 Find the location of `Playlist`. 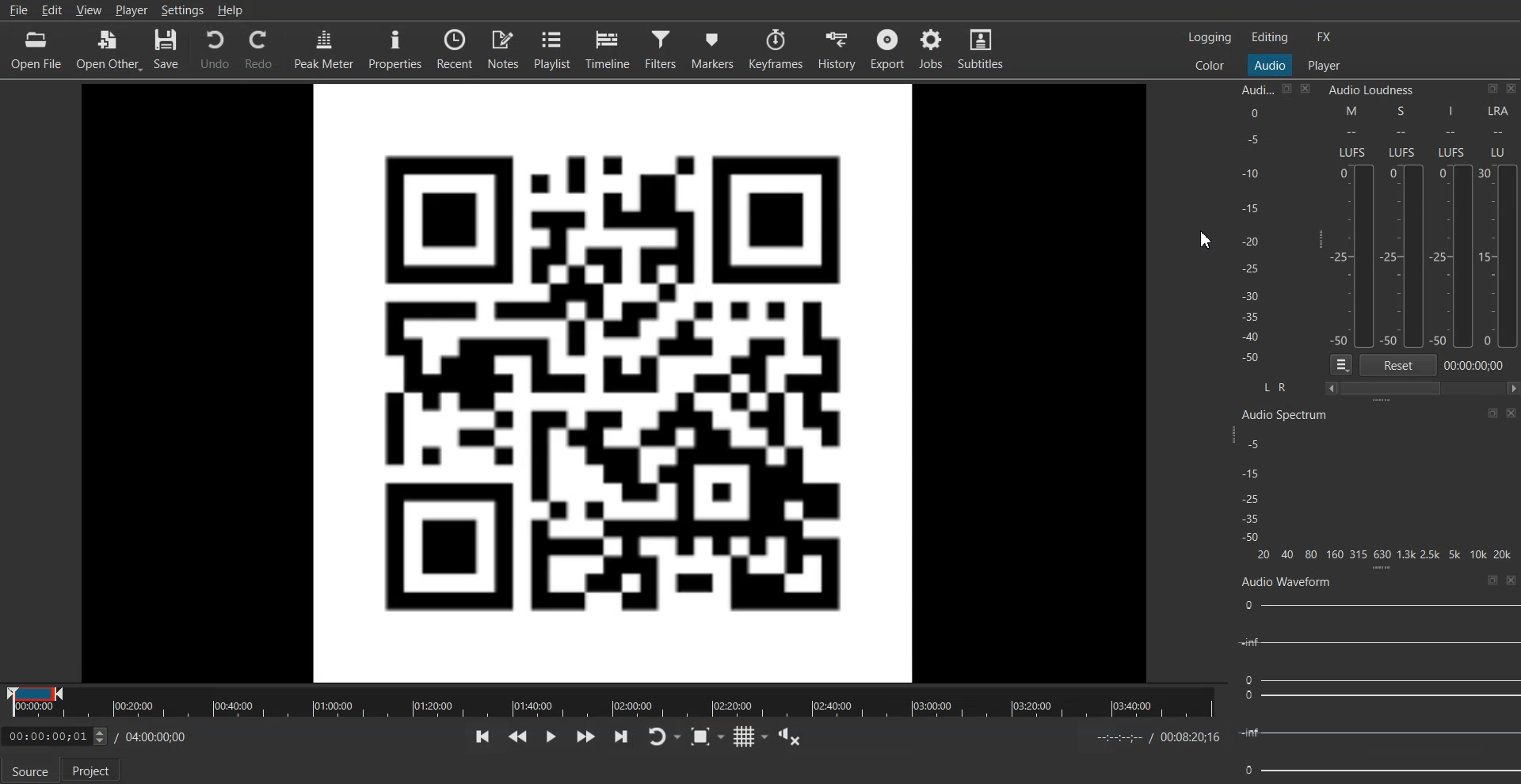

Playlist is located at coordinates (553, 49).